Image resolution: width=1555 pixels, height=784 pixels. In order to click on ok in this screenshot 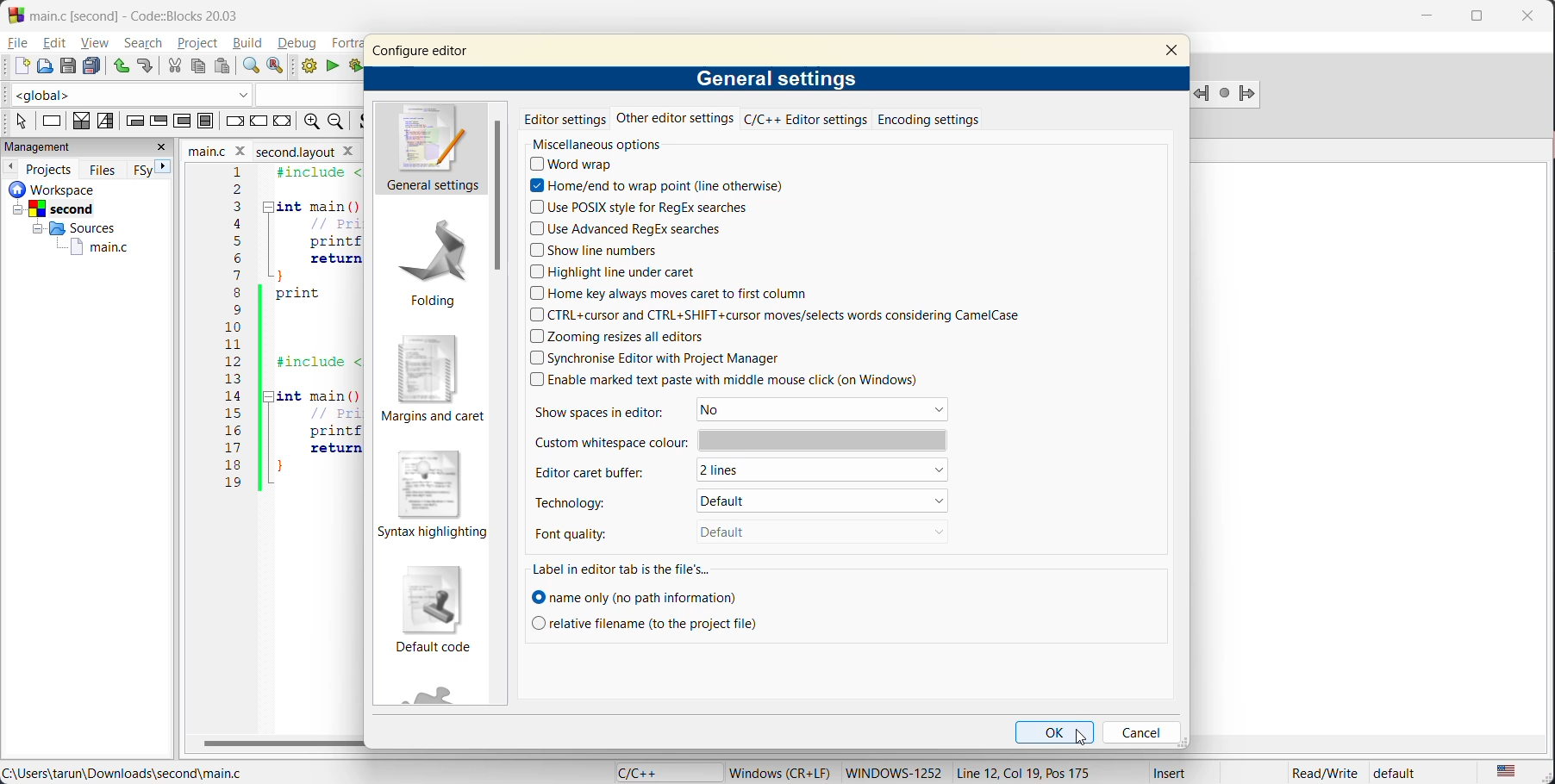, I will do `click(1056, 733)`.